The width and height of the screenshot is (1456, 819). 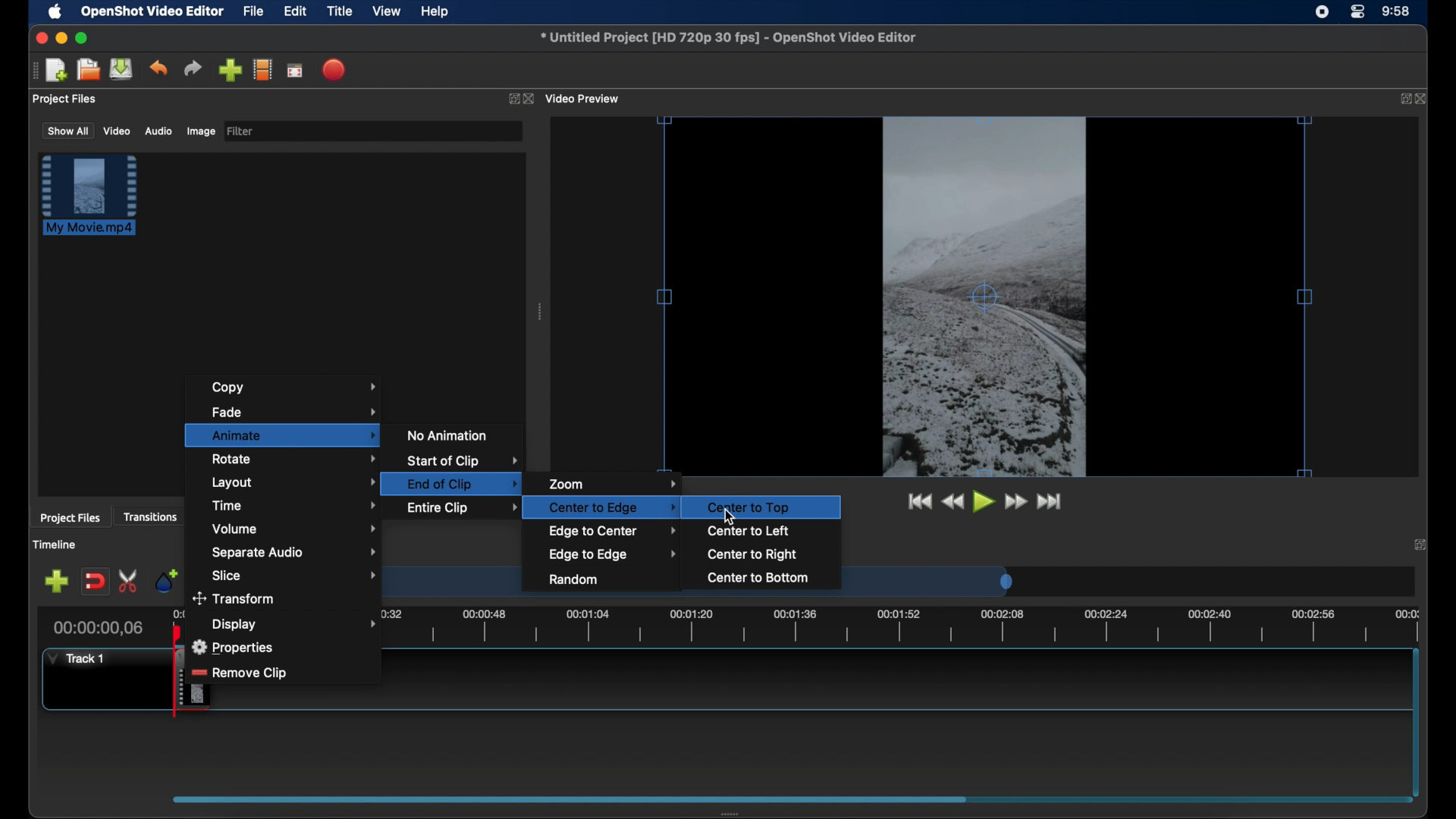 What do you see at coordinates (99, 628) in the screenshot?
I see `current time indicator` at bounding box center [99, 628].